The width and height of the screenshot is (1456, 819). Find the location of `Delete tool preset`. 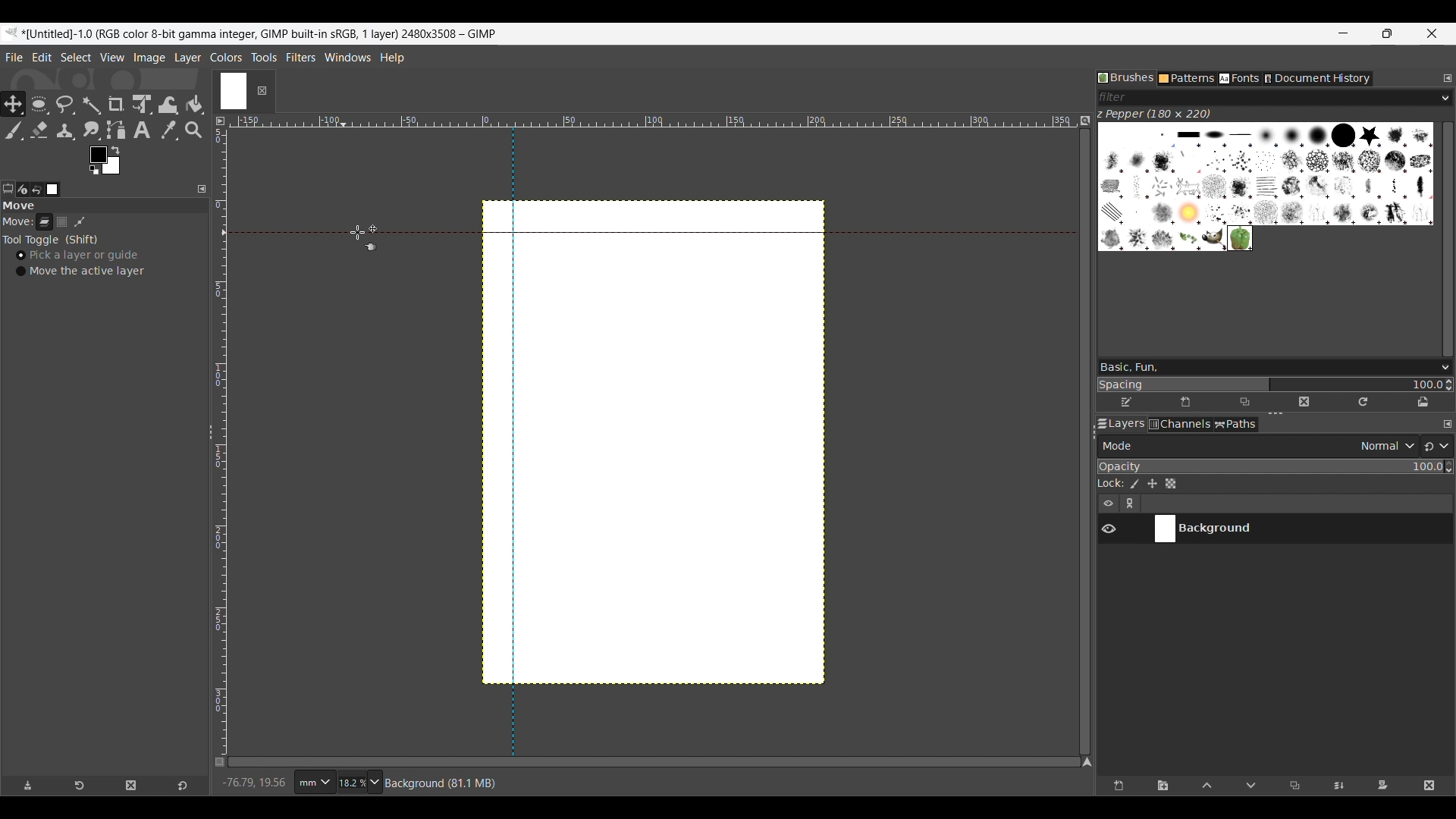

Delete tool preset is located at coordinates (131, 786).